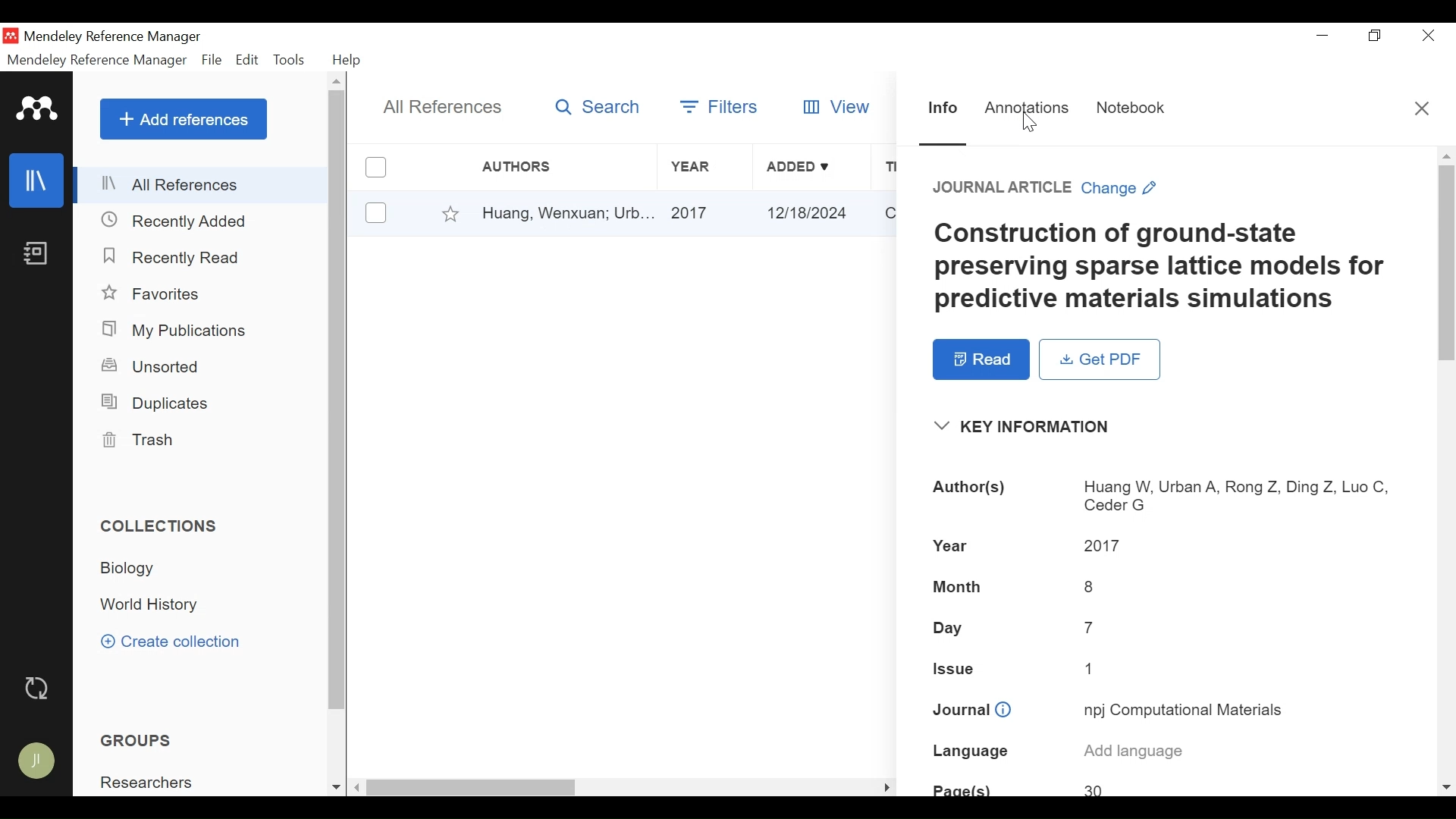 This screenshot has width=1456, height=819. What do you see at coordinates (140, 441) in the screenshot?
I see `Trash` at bounding box center [140, 441].